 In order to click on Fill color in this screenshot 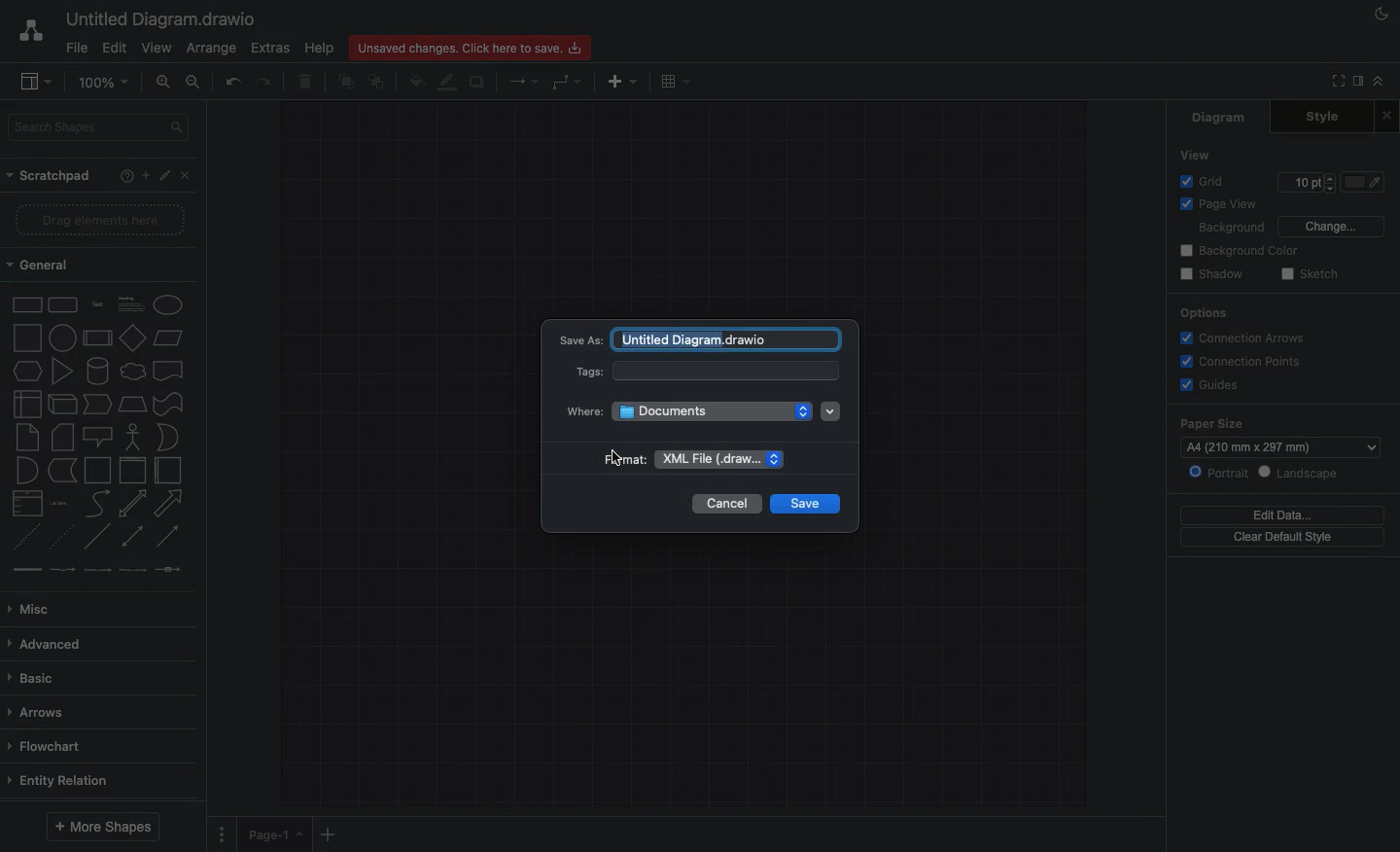, I will do `click(419, 81)`.